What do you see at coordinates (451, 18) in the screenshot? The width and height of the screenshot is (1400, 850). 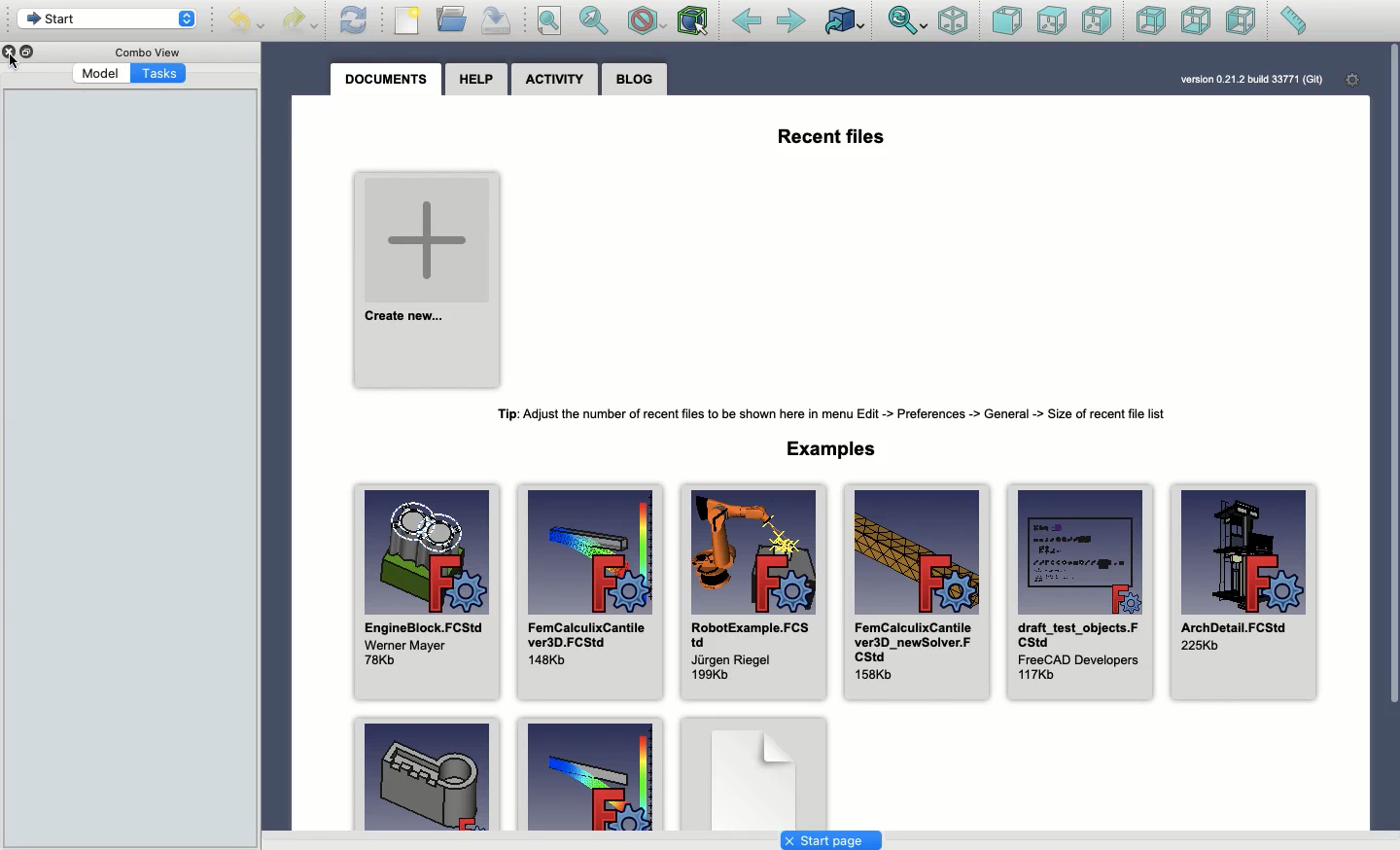 I see `Open` at bounding box center [451, 18].